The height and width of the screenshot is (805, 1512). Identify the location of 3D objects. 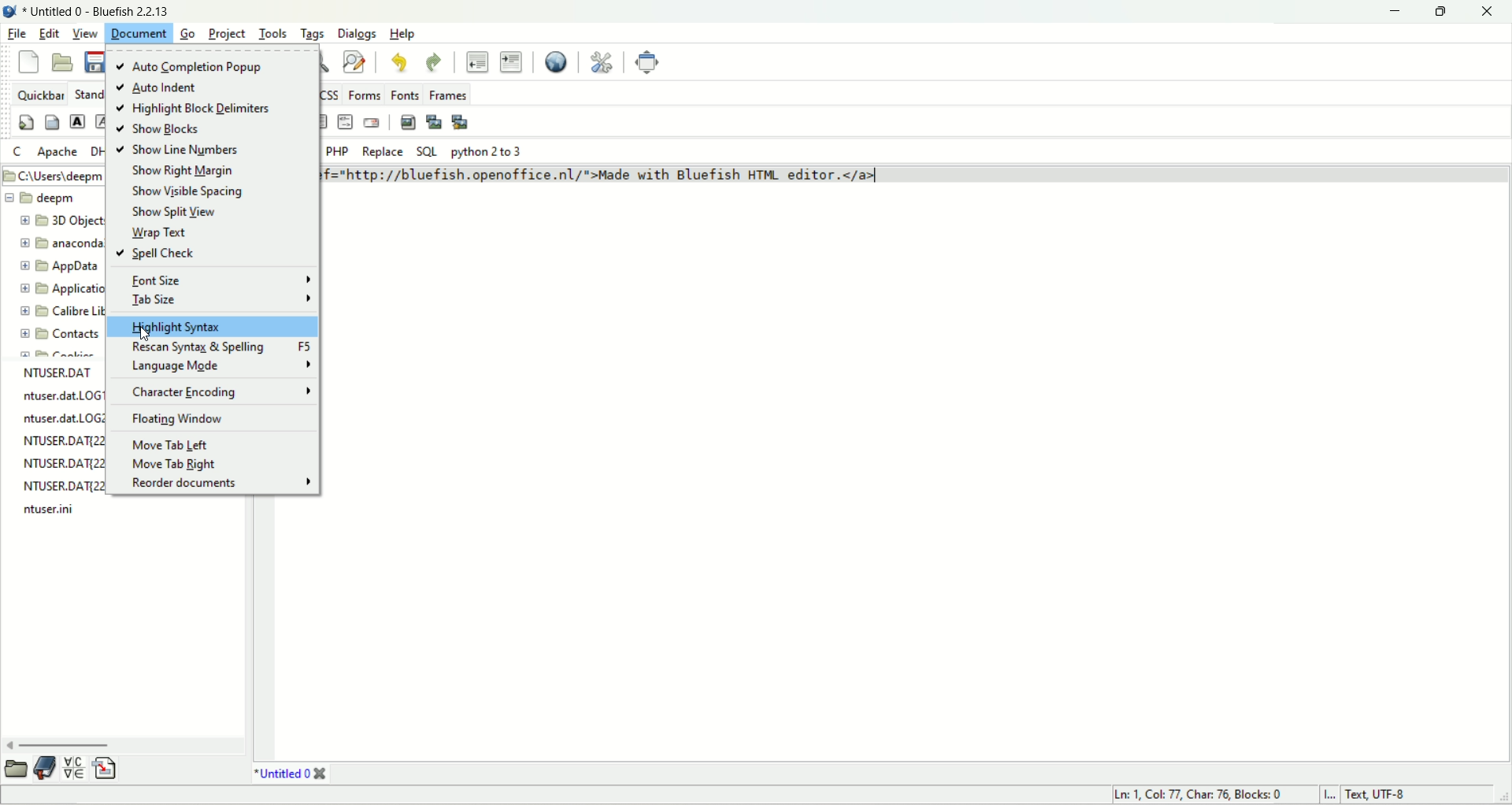
(64, 219).